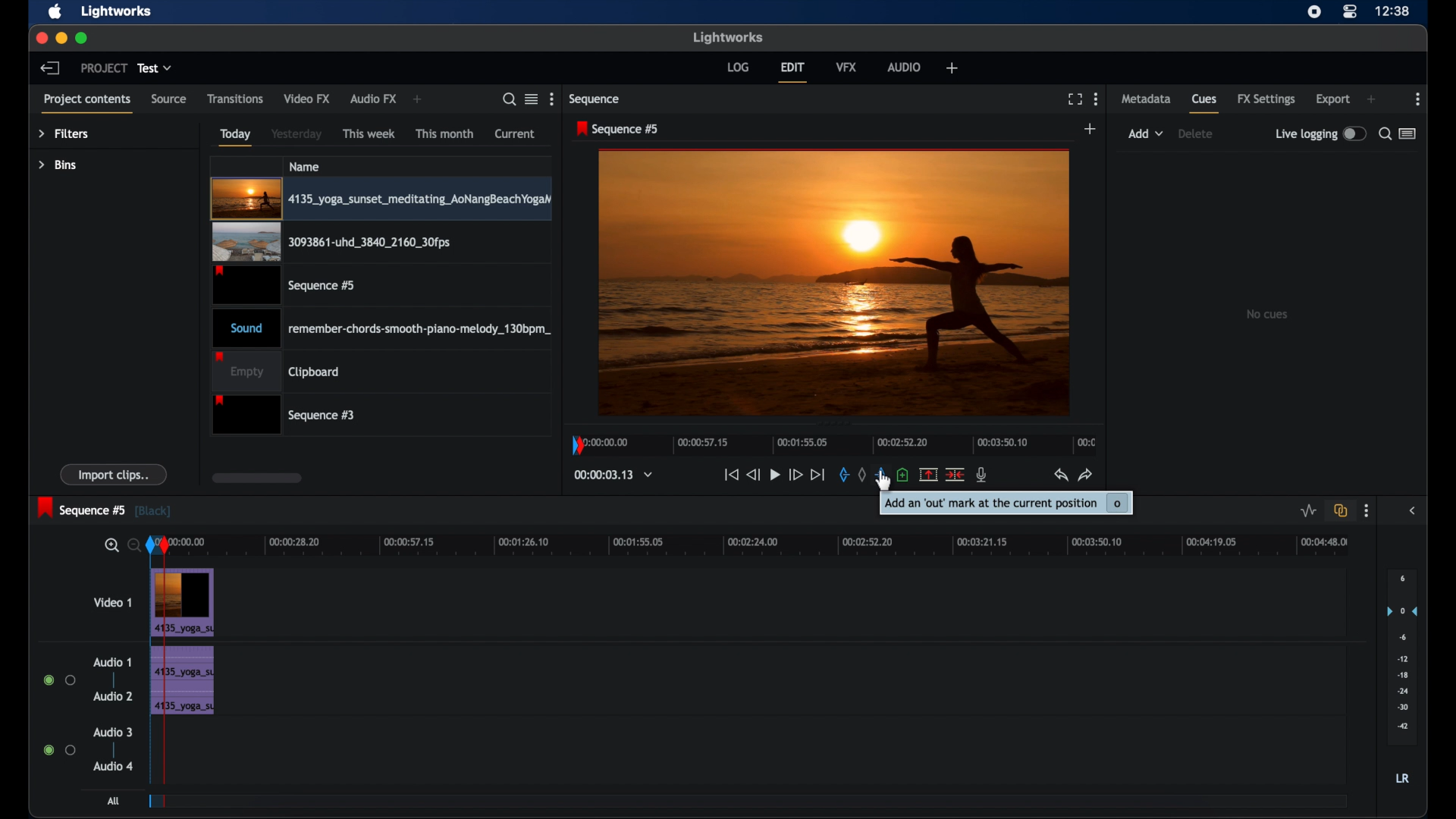  Describe the element at coordinates (1419, 99) in the screenshot. I see `more options` at that location.